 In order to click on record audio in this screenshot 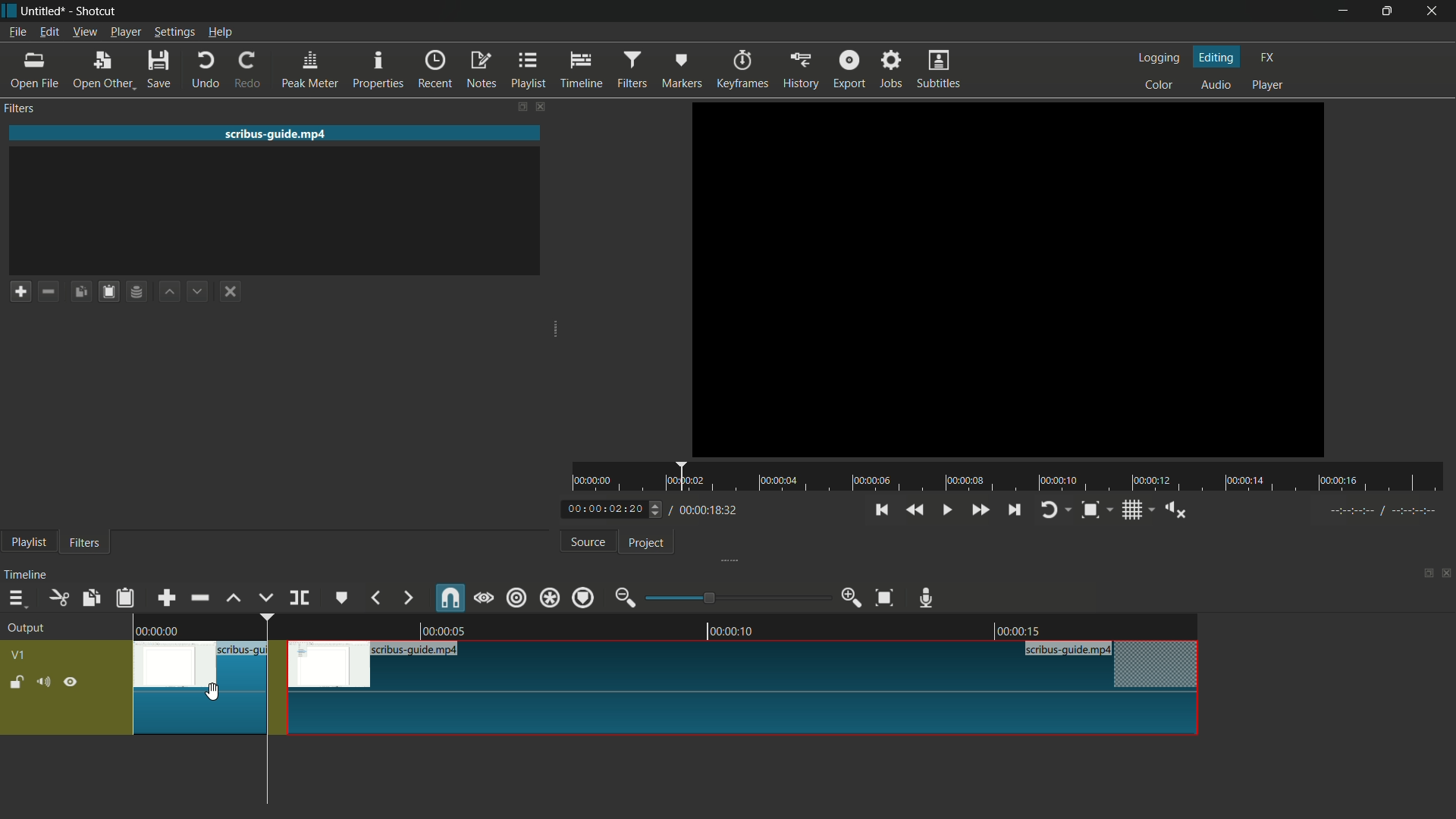, I will do `click(924, 598)`.